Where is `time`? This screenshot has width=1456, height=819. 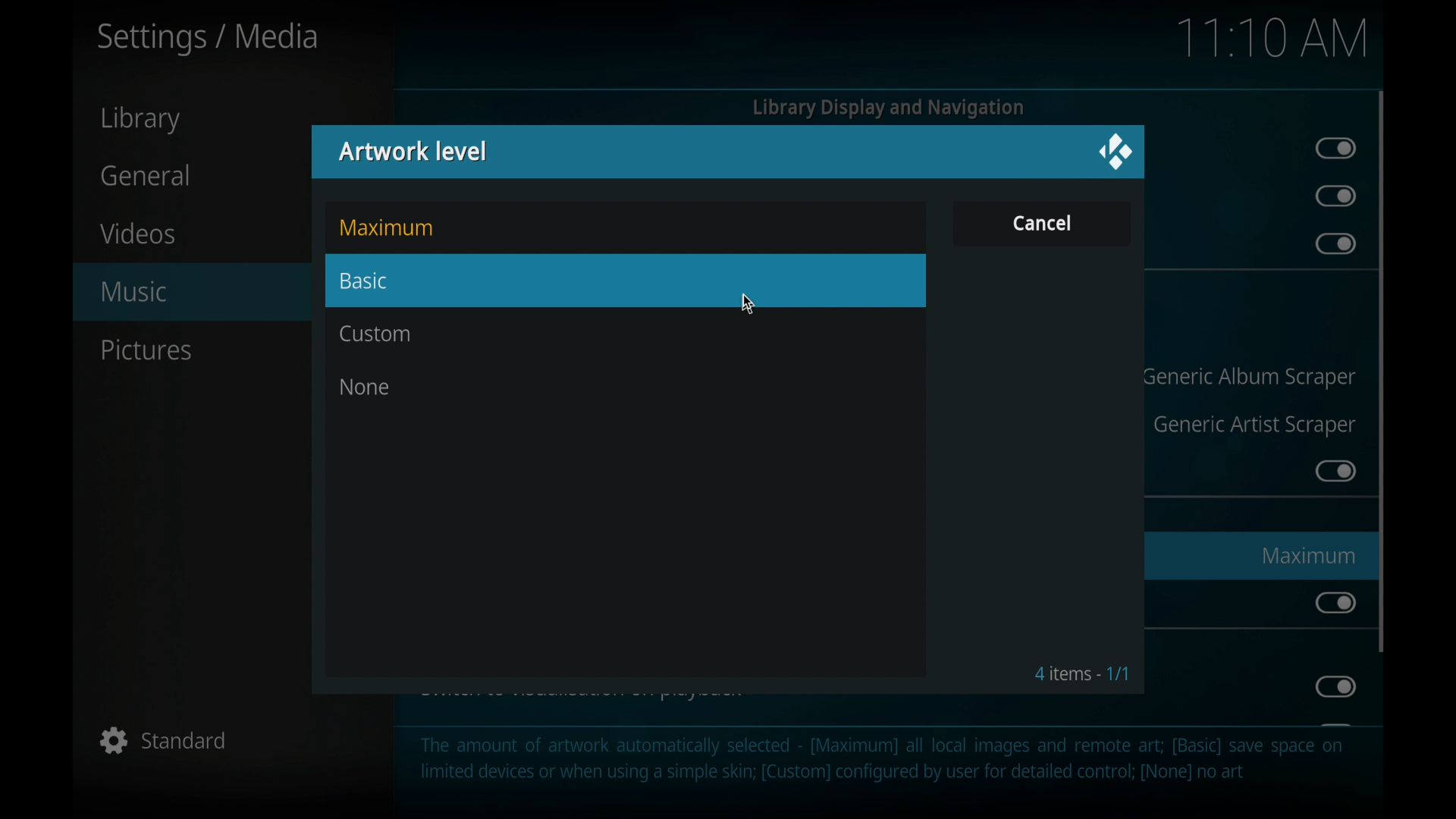 time is located at coordinates (1271, 39).